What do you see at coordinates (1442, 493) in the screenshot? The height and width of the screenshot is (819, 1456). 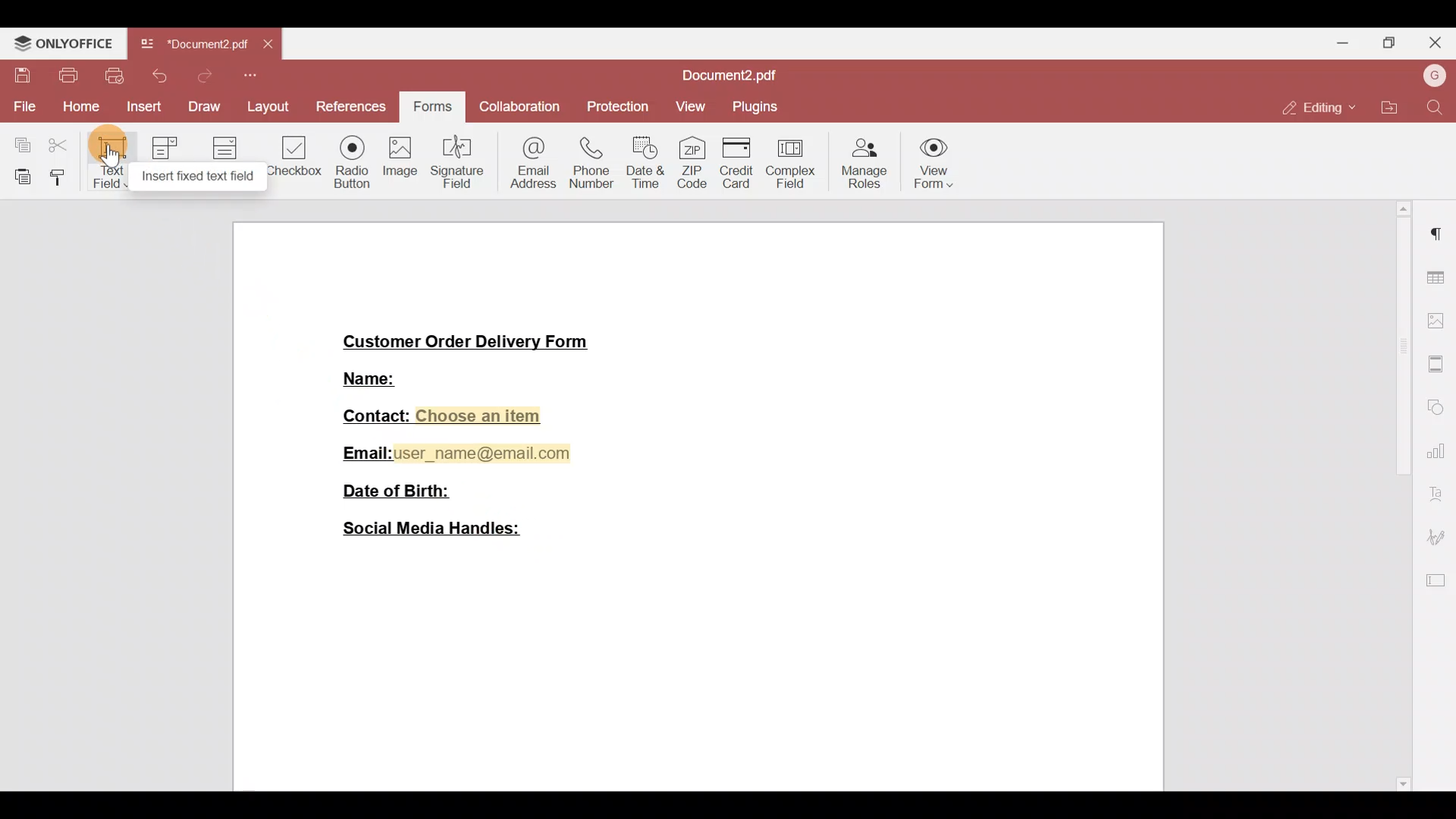 I see `Font settings` at bounding box center [1442, 493].